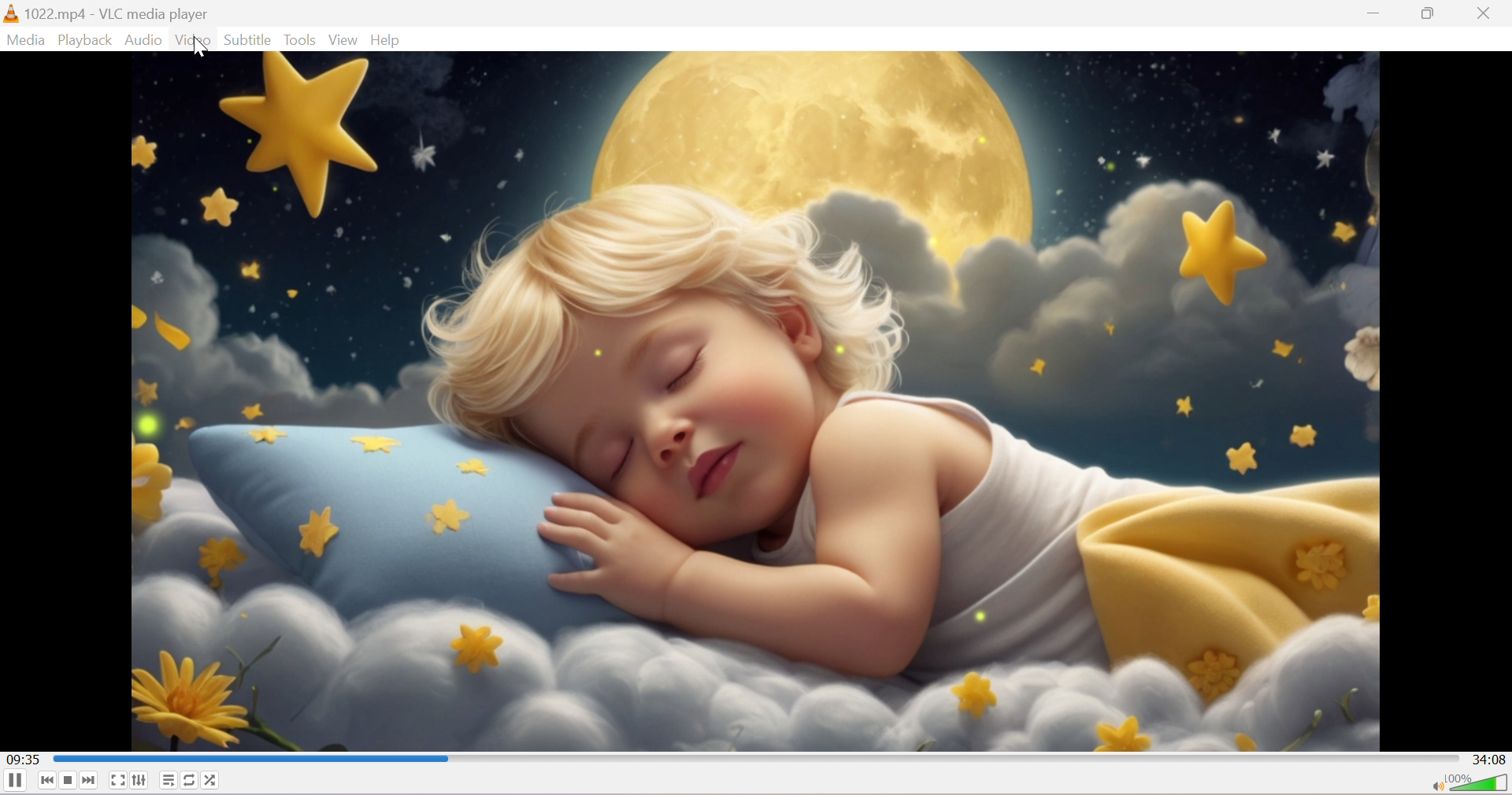 The image size is (1512, 795). What do you see at coordinates (1434, 784) in the screenshot?
I see `Mute` at bounding box center [1434, 784].